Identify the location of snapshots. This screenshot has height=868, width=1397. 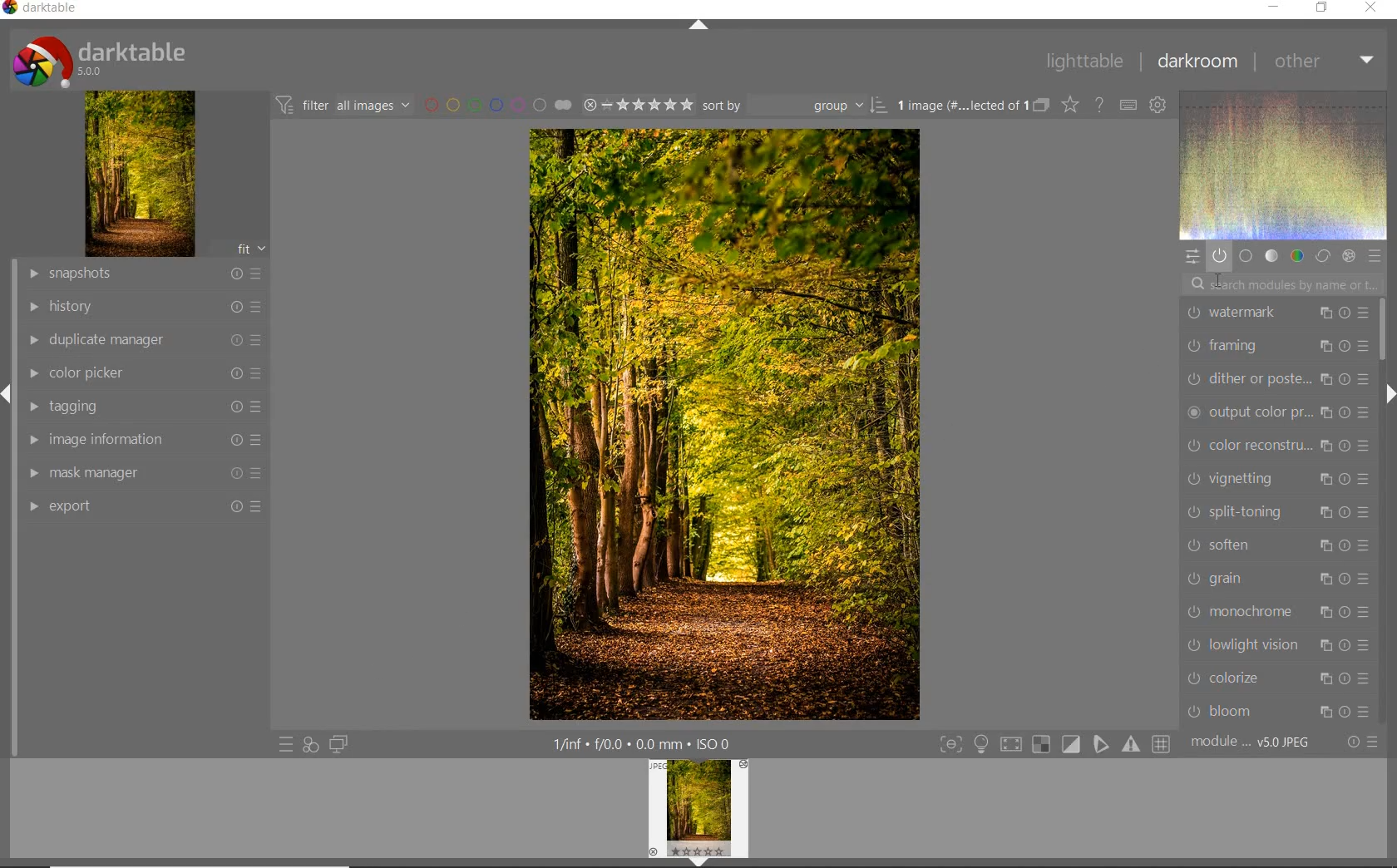
(147, 274).